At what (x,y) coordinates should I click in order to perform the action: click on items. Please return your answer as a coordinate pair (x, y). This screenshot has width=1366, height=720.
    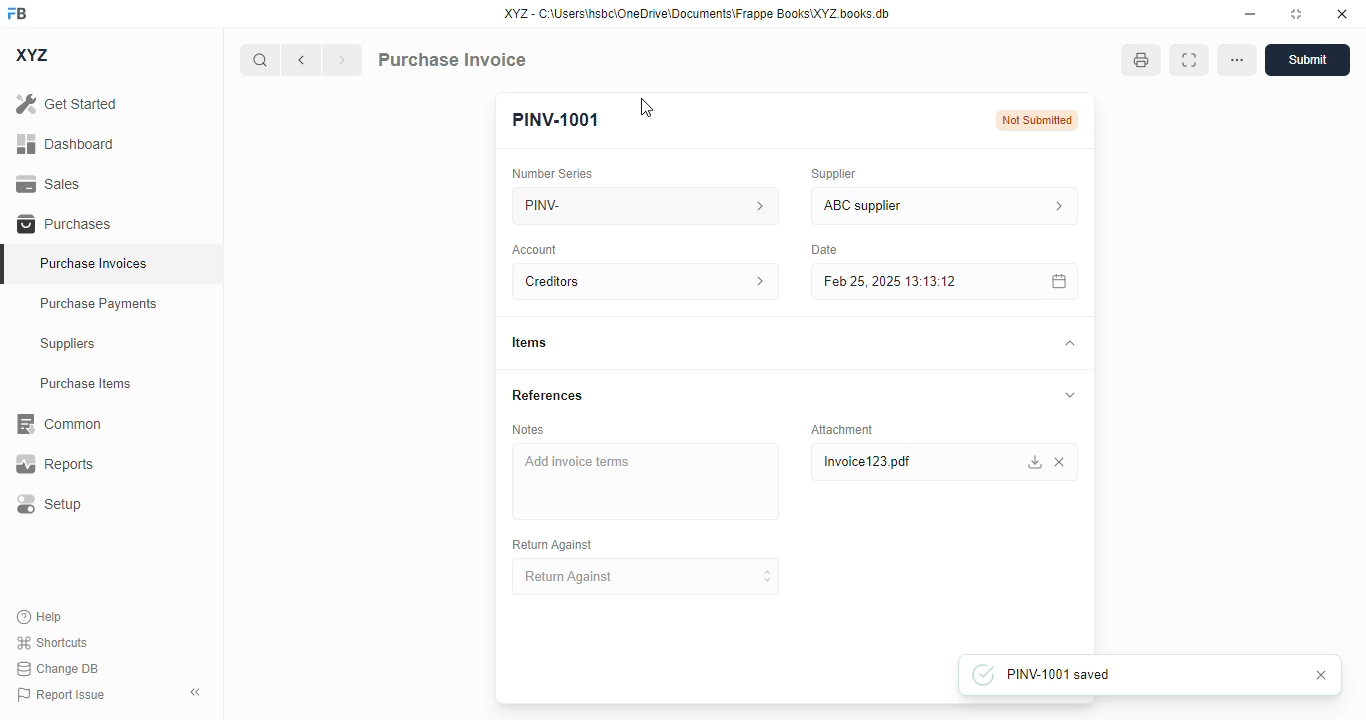
    Looking at the image, I should click on (529, 343).